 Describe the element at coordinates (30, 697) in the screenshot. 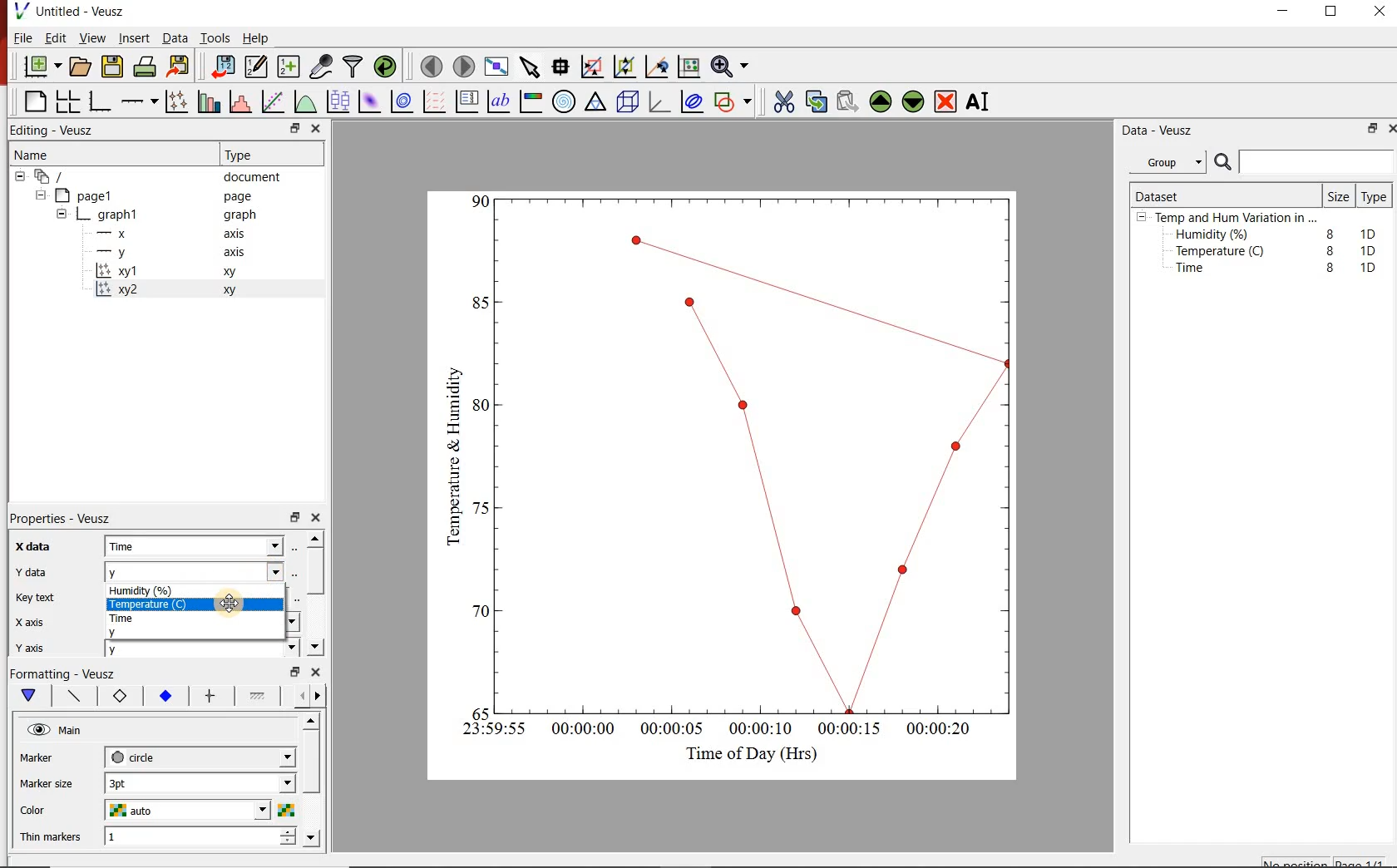

I see `main formatting` at that location.